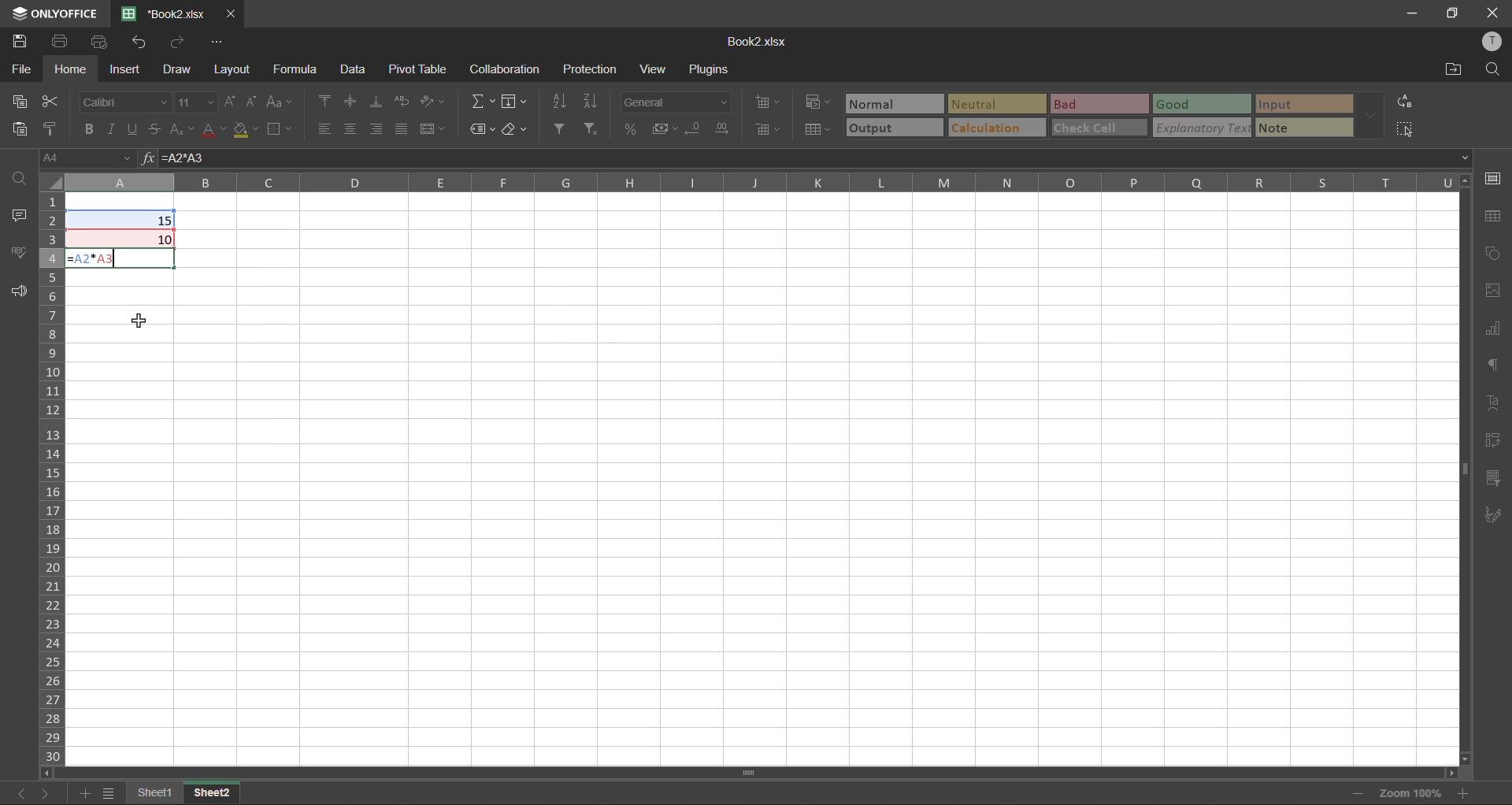 The height and width of the screenshot is (805, 1512). I want to click on sub/superscript, so click(183, 128).